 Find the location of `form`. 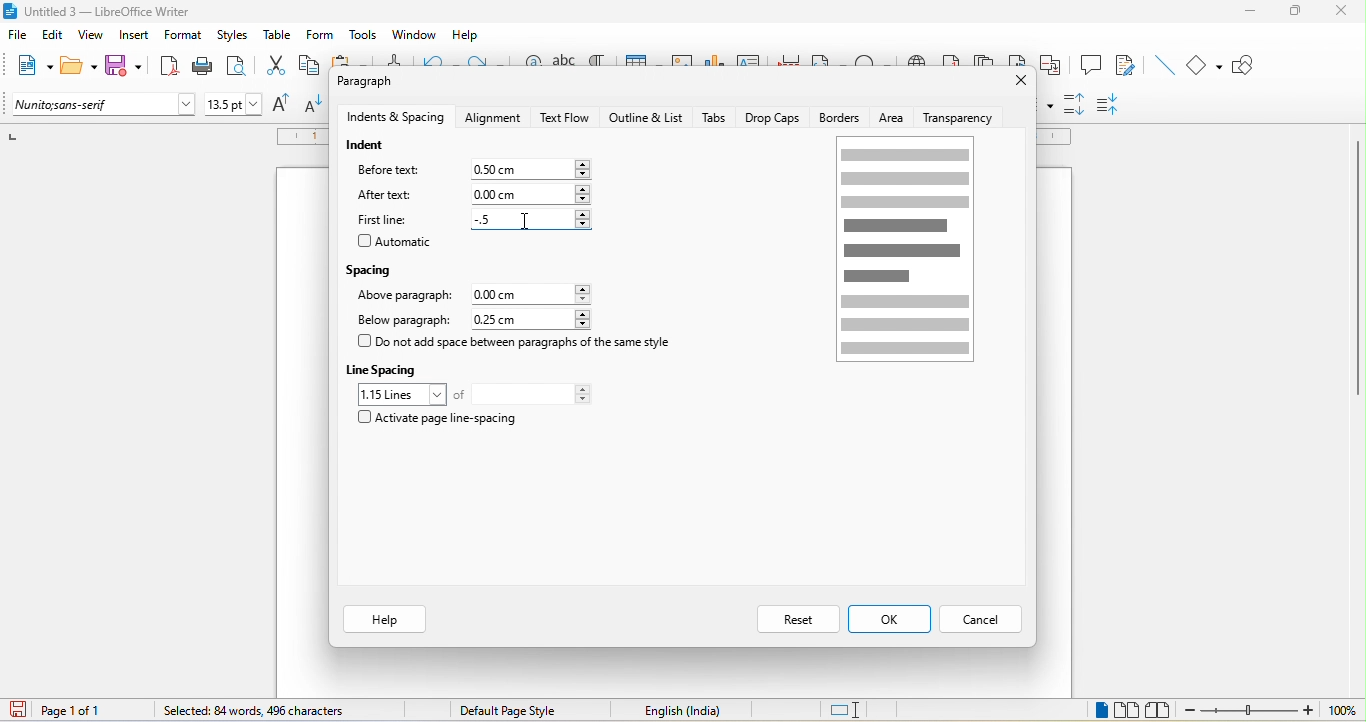

form is located at coordinates (319, 34).